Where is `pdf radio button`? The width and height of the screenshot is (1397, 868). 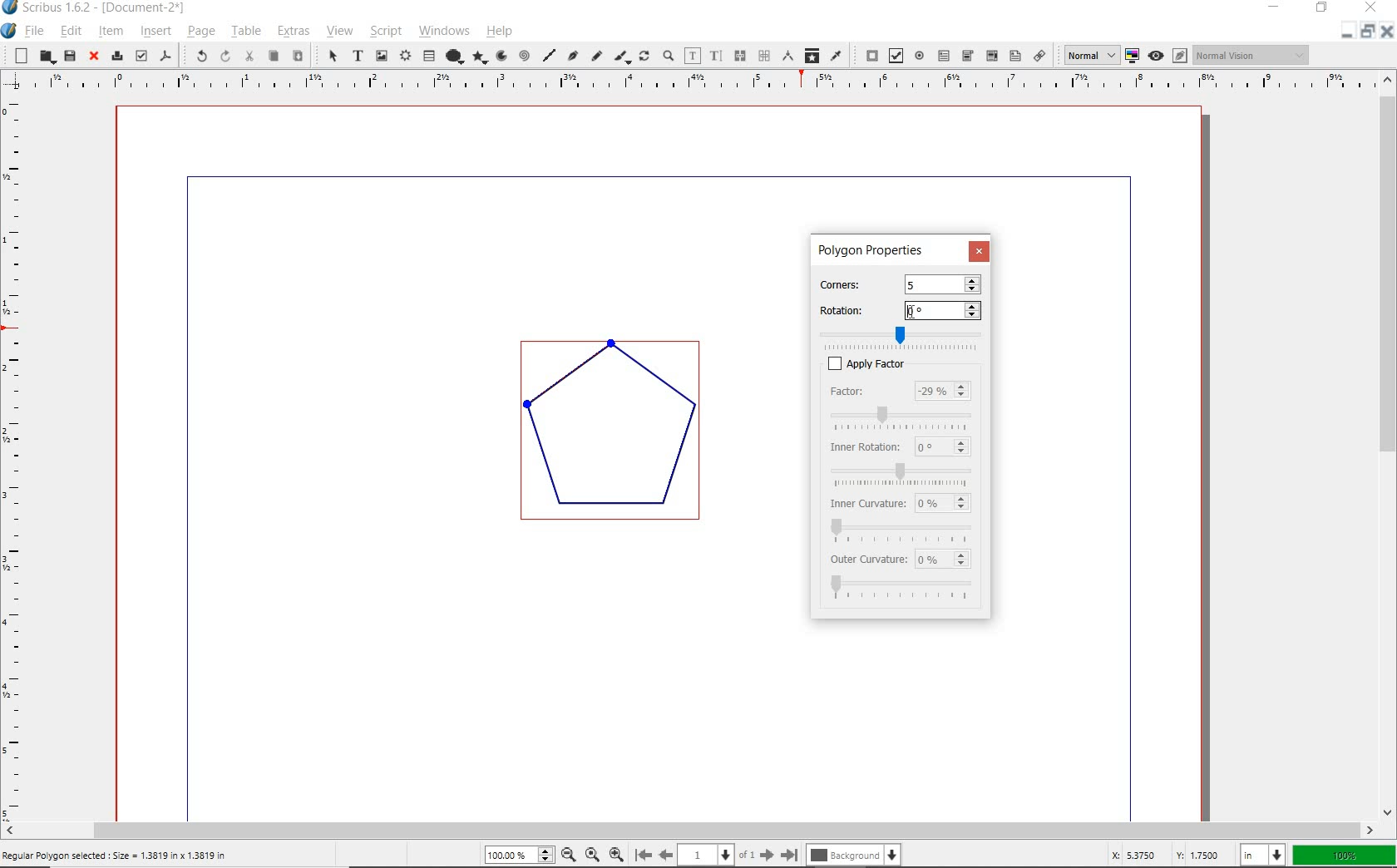
pdf radio button is located at coordinates (921, 56).